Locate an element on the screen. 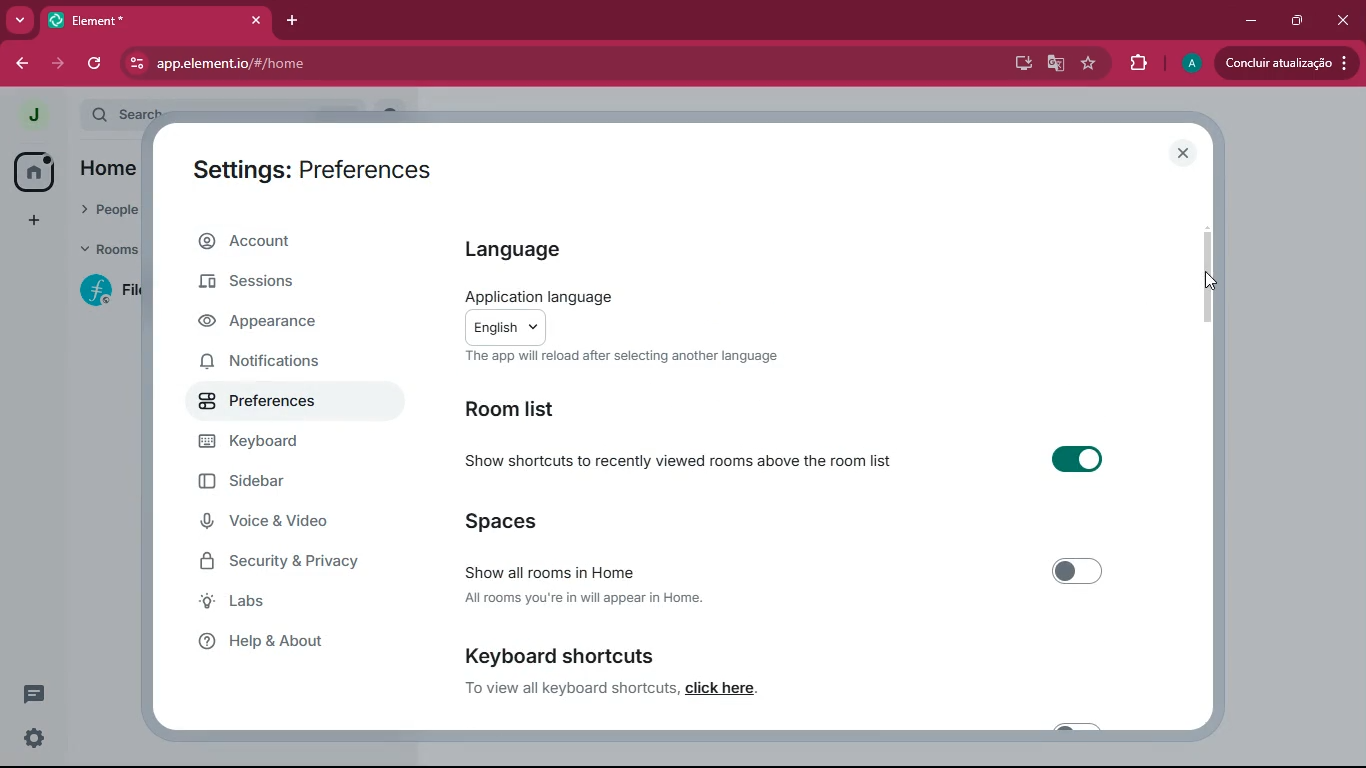 The image size is (1366, 768). more is located at coordinates (20, 21).